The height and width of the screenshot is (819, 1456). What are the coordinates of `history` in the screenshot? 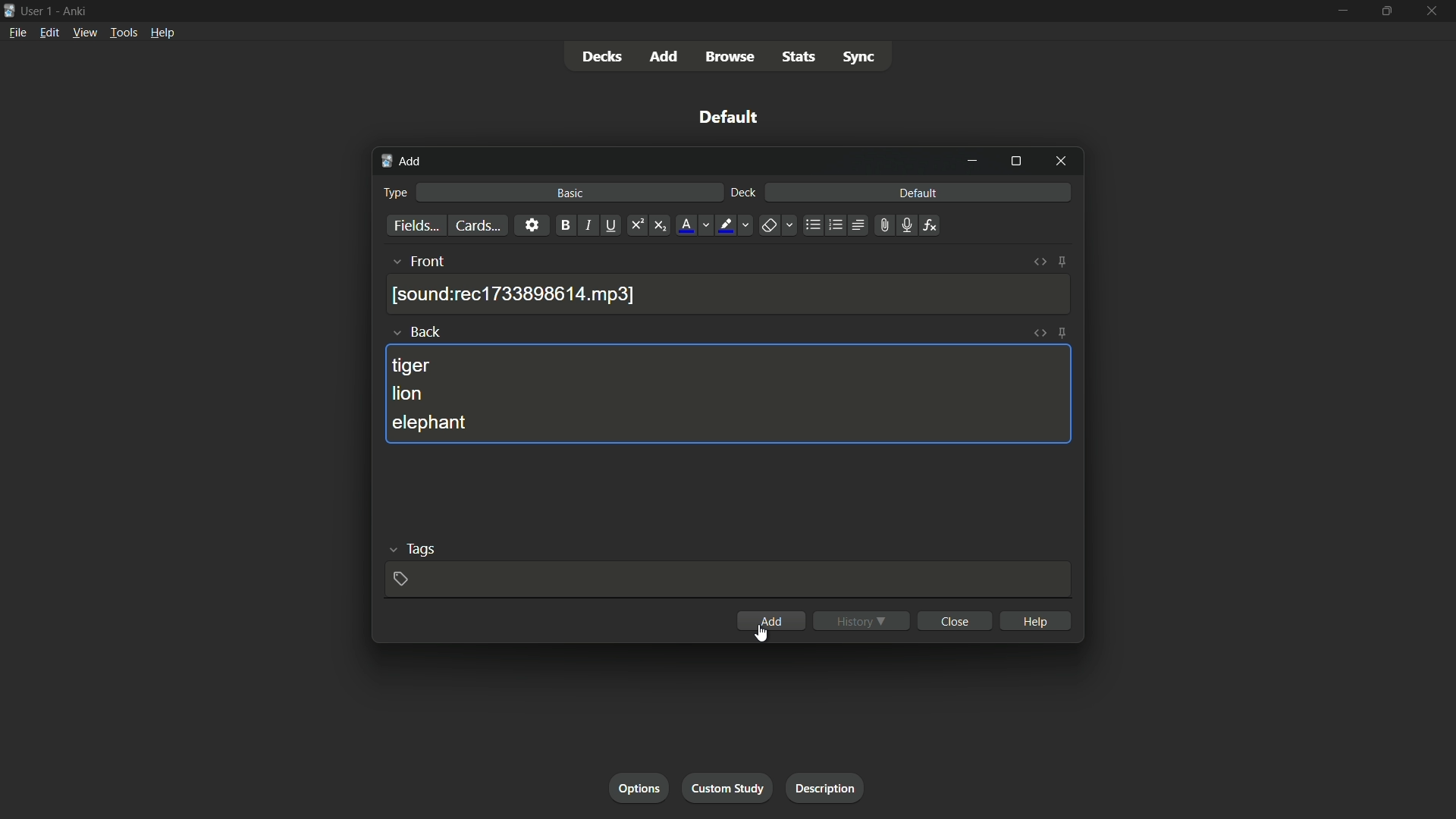 It's located at (861, 620).